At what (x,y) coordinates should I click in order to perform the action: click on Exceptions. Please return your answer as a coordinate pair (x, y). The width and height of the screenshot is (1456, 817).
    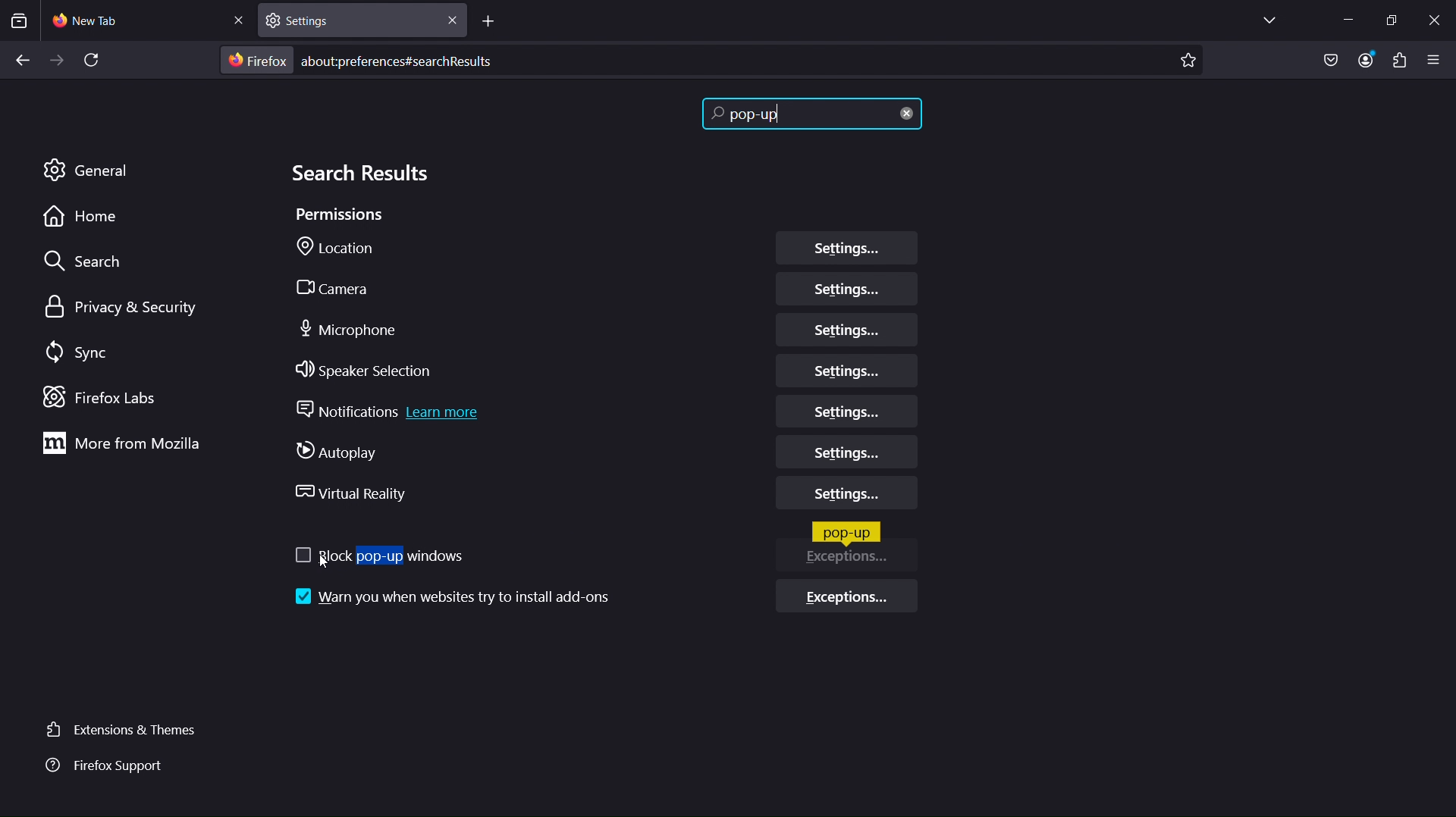
    Looking at the image, I should click on (853, 562).